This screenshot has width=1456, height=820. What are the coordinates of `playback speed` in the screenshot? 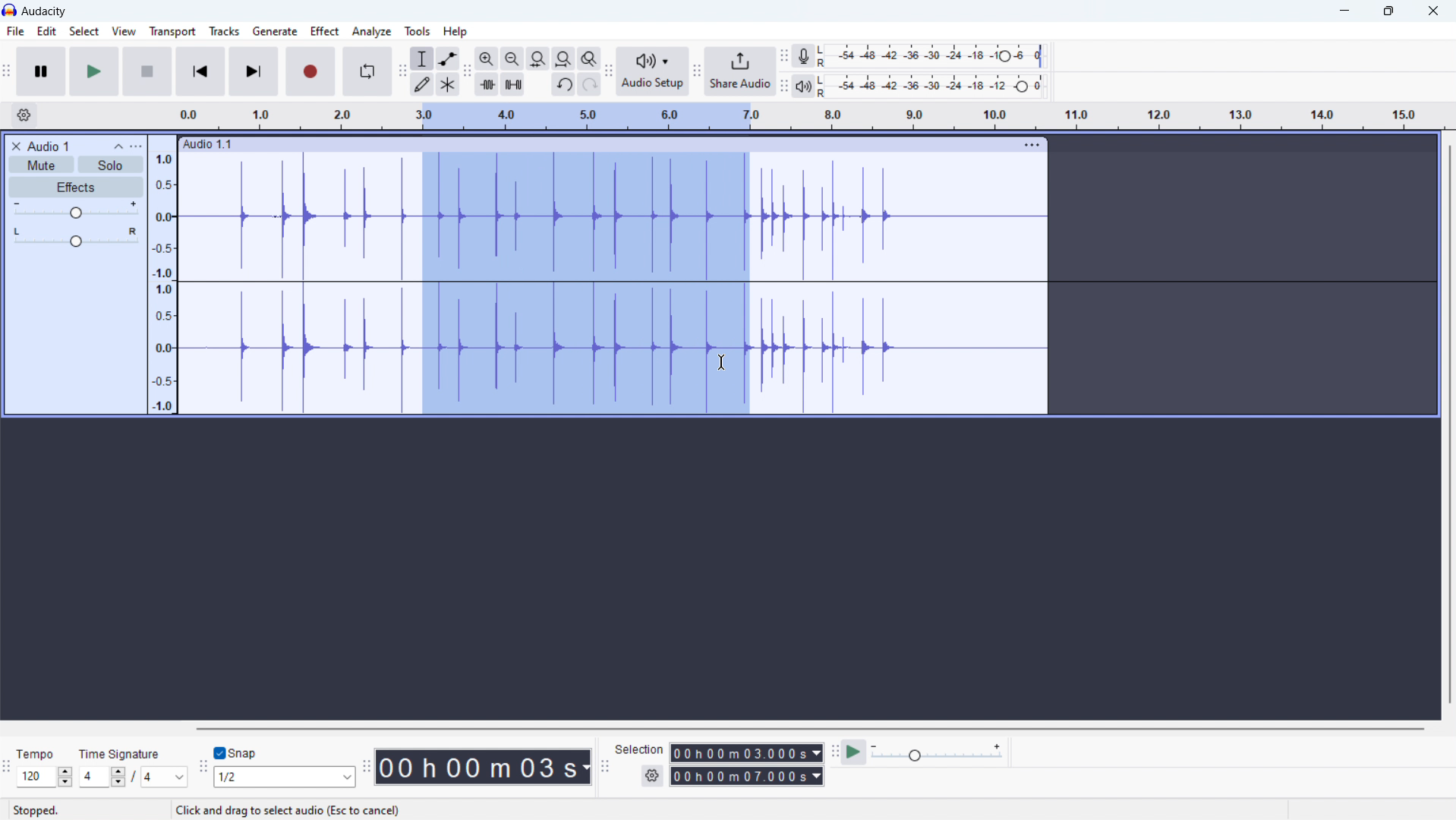 It's located at (938, 752).